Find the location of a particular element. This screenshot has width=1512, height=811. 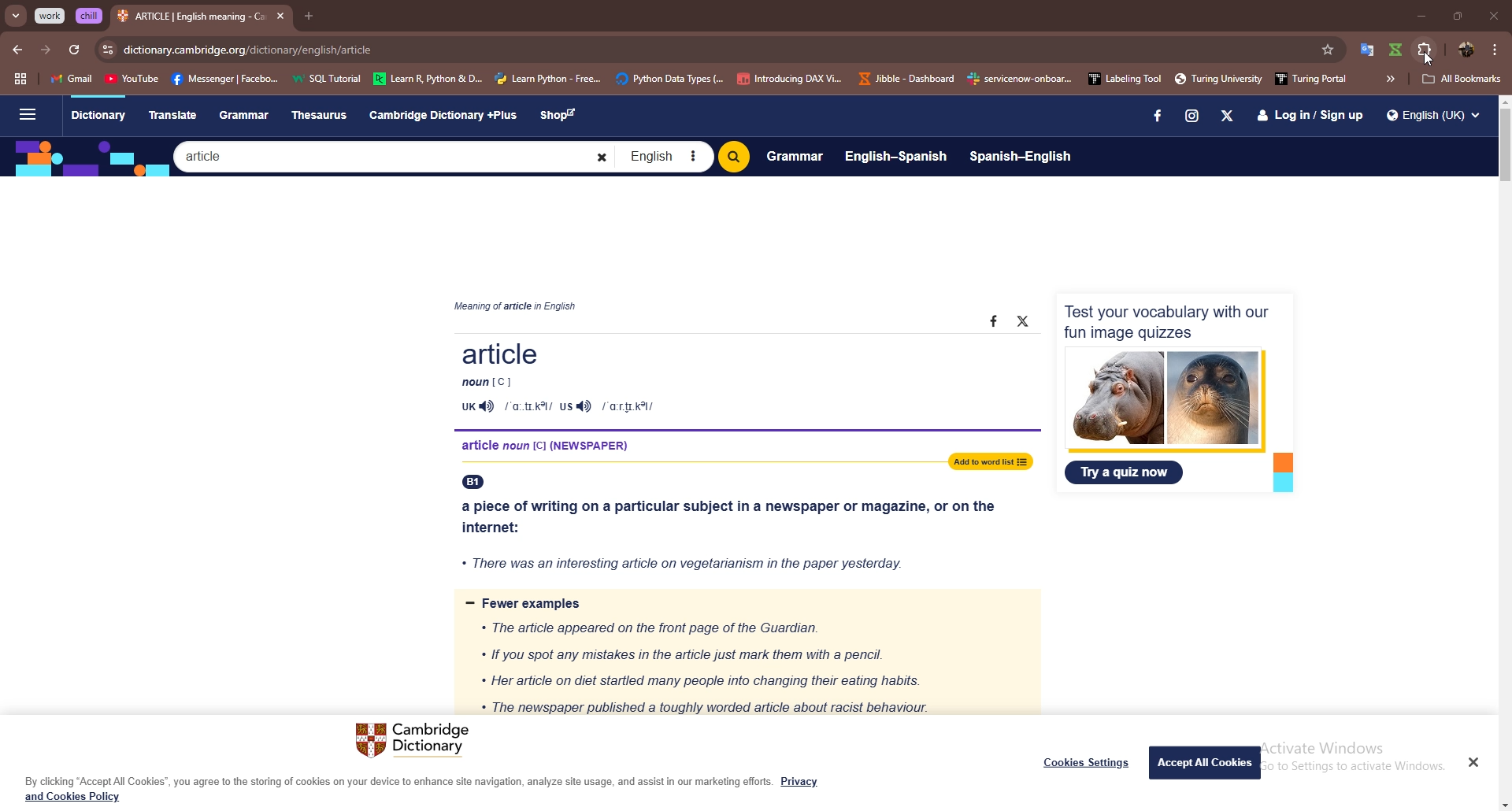

 Cambridge Dictionary is located at coordinates (417, 742).